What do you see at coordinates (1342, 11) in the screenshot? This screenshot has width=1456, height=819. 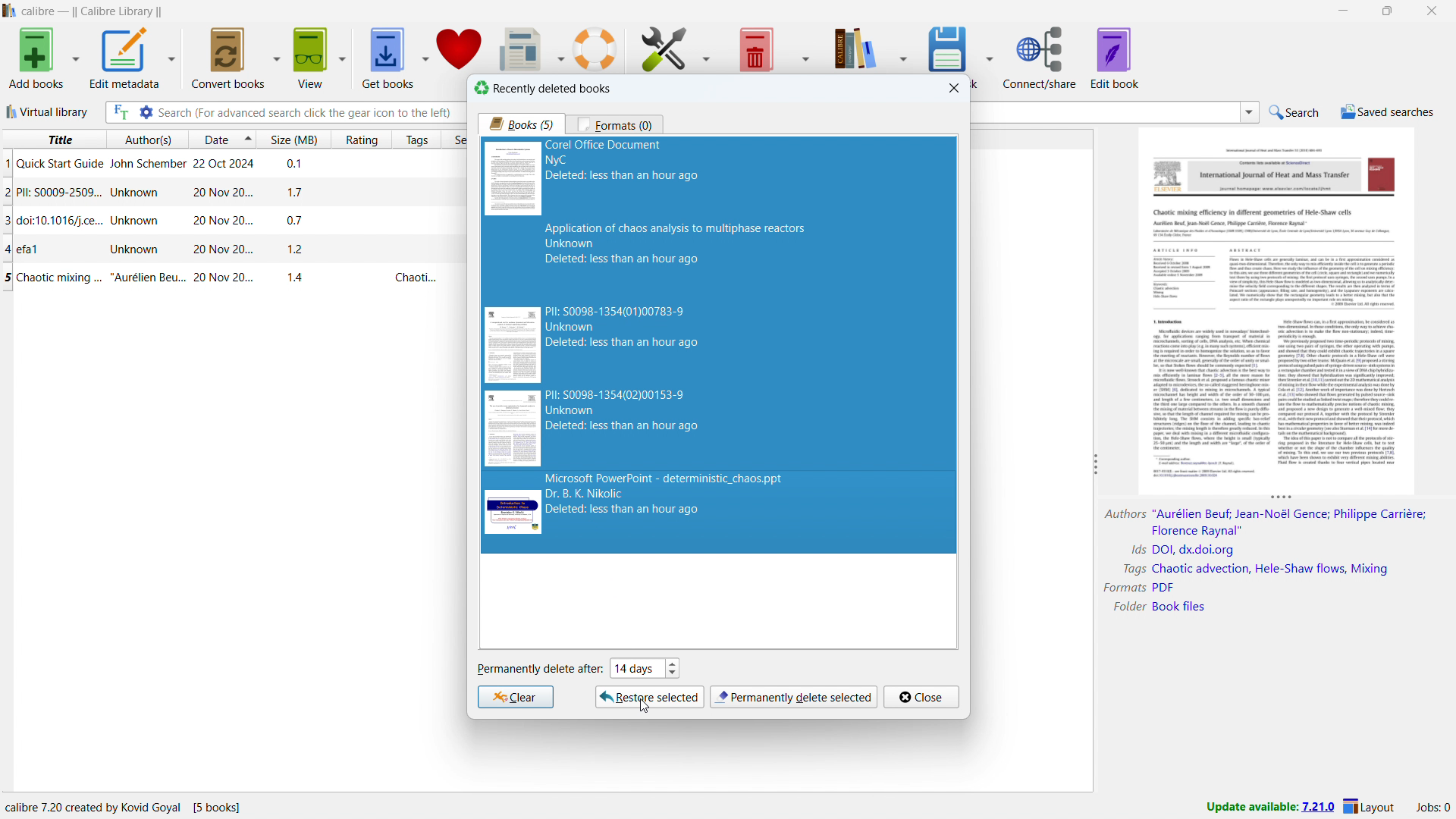 I see `minimize` at bounding box center [1342, 11].